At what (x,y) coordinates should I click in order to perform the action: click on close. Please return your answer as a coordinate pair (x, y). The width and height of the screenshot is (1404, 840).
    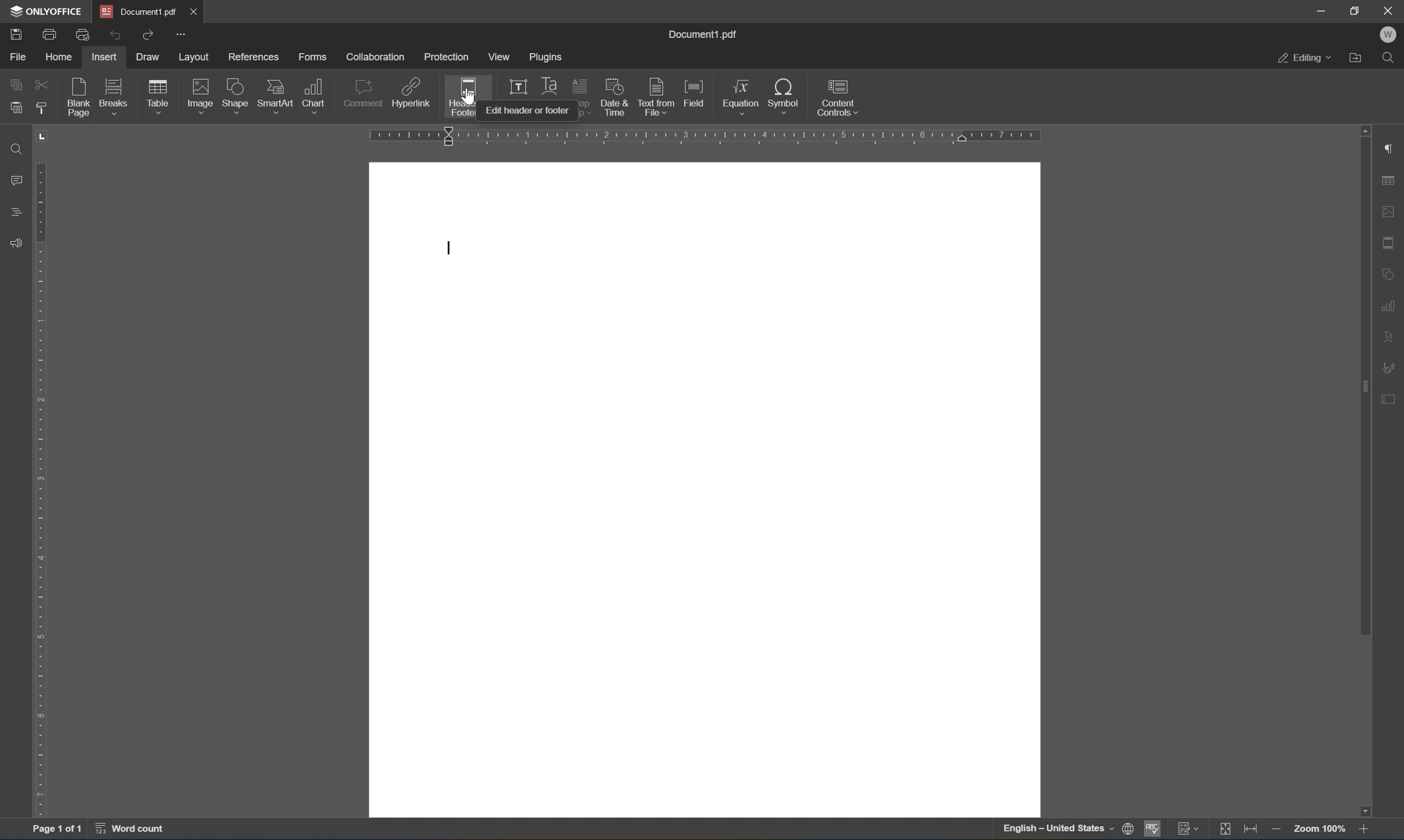
    Looking at the image, I should click on (1390, 11).